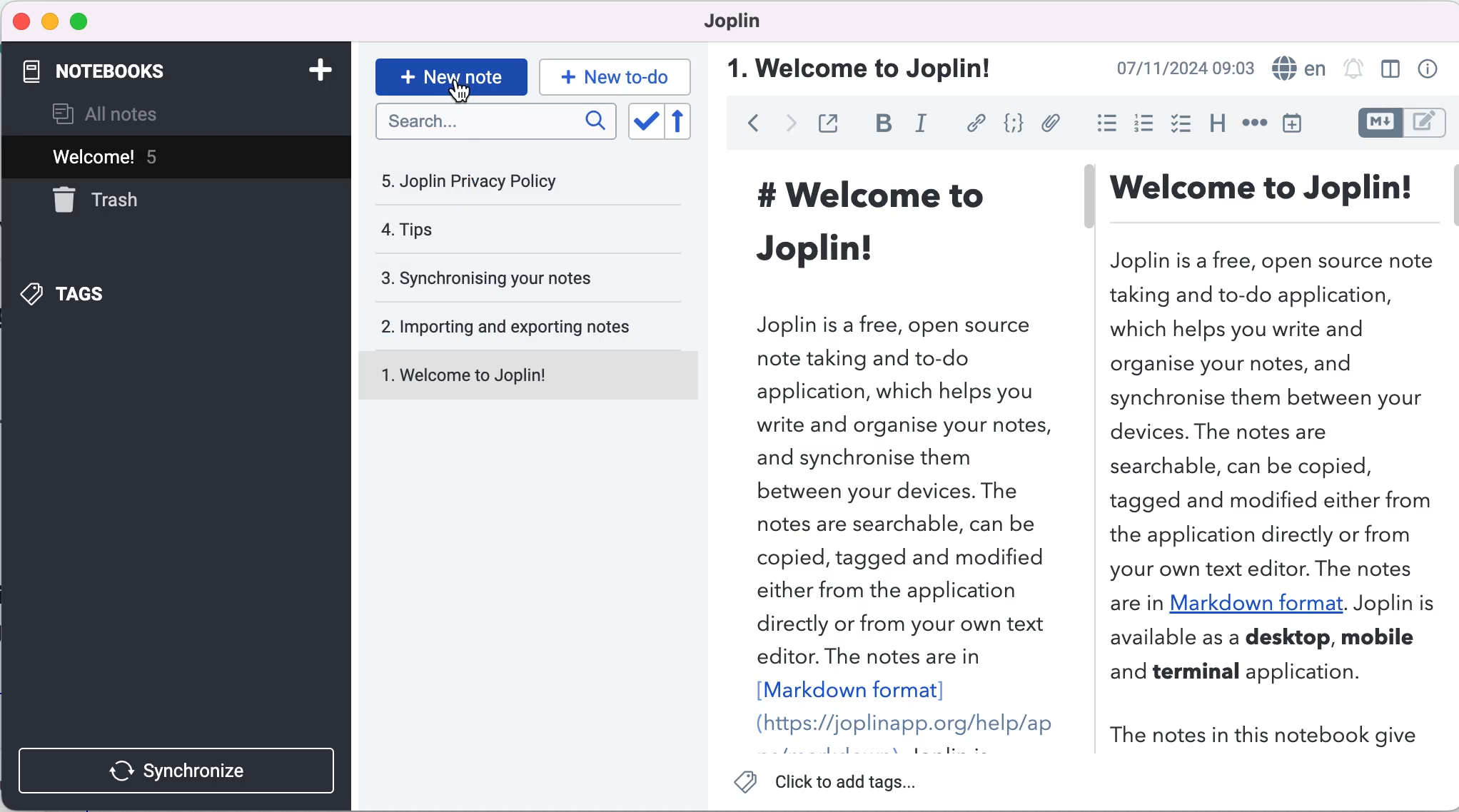  I want to click on tips, so click(490, 231).